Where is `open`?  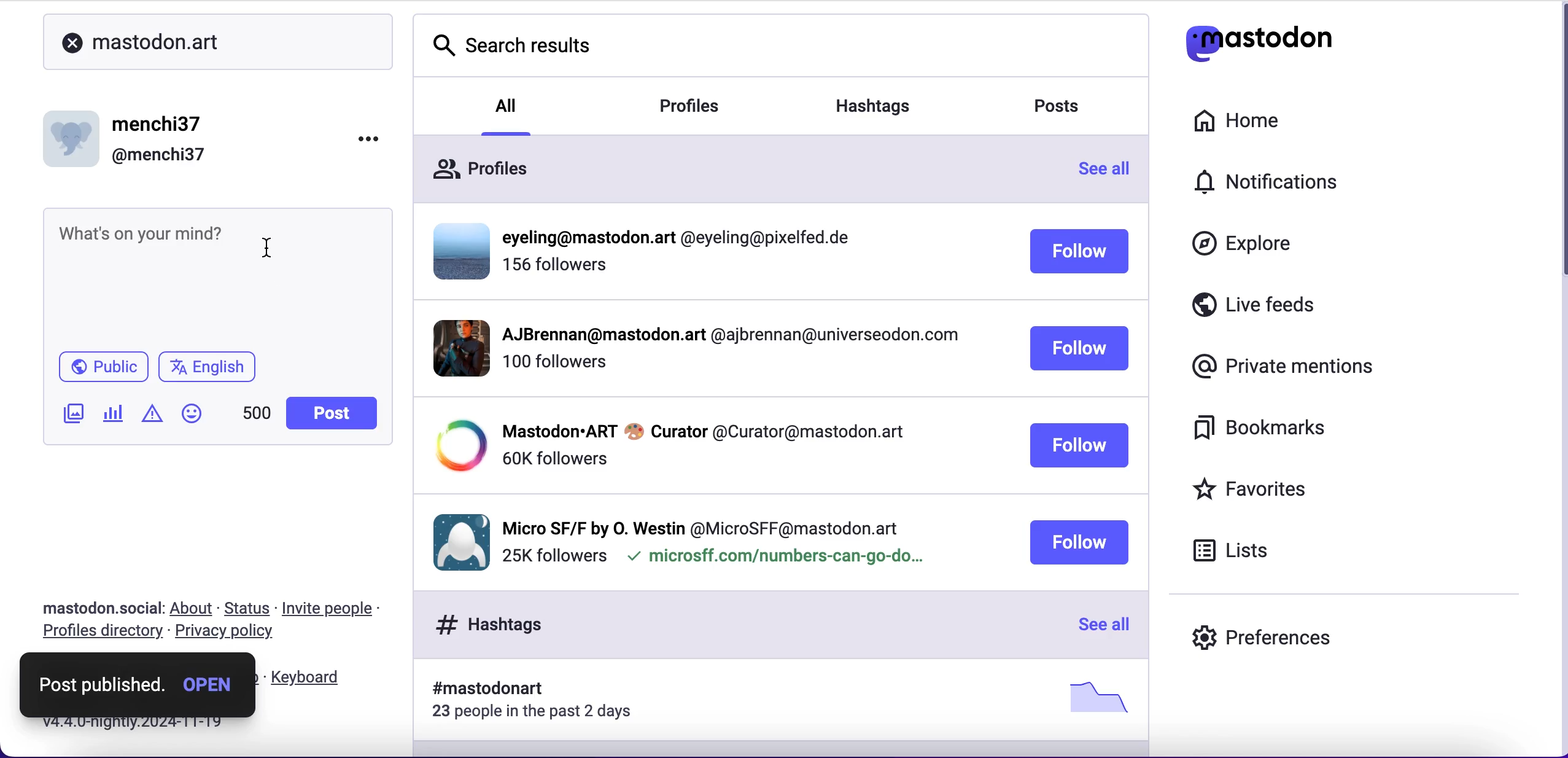
open is located at coordinates (210, 681).